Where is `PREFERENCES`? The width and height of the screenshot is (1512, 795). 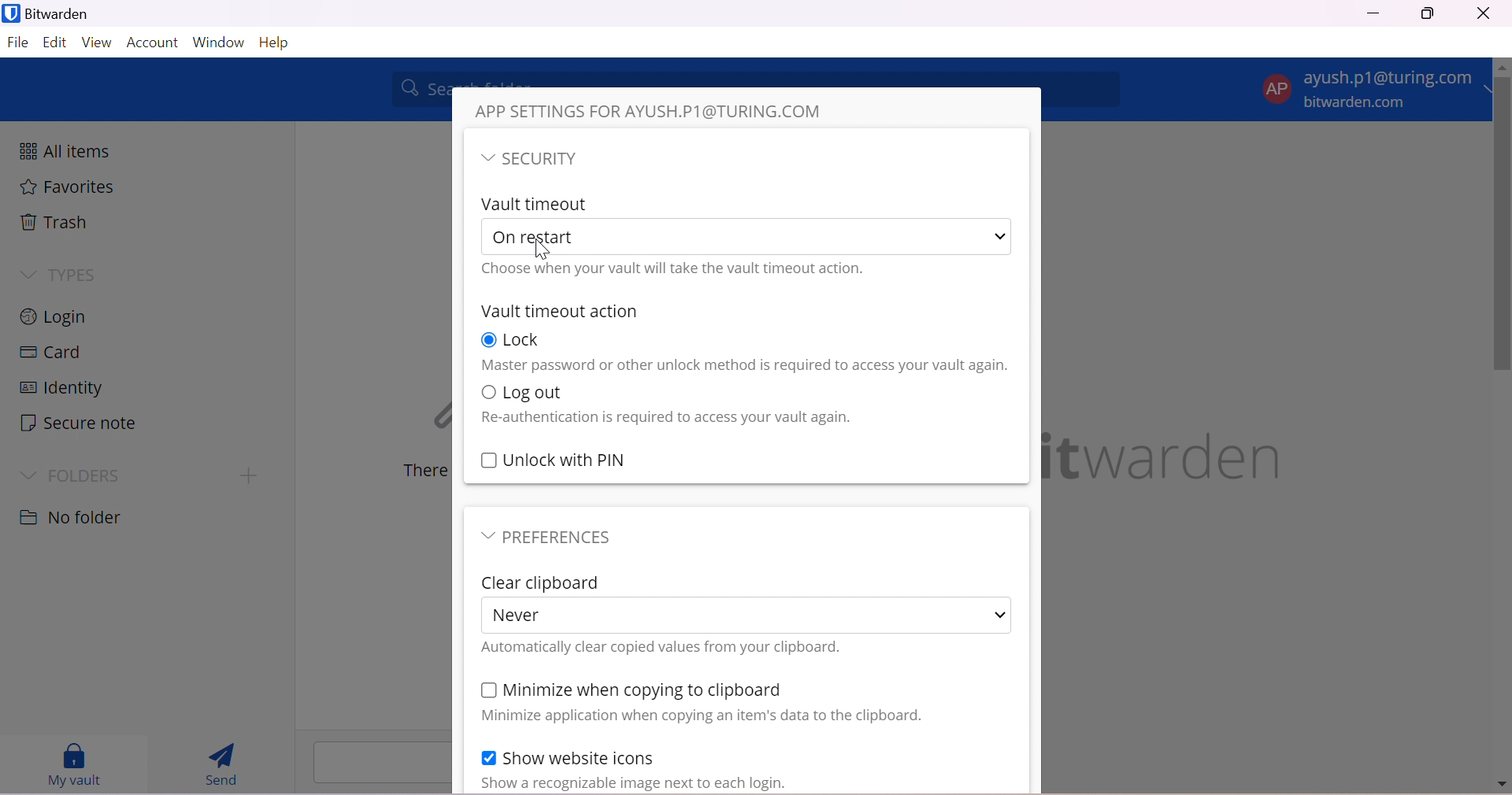 PREFERENCES is located at coordinates (563, 538).